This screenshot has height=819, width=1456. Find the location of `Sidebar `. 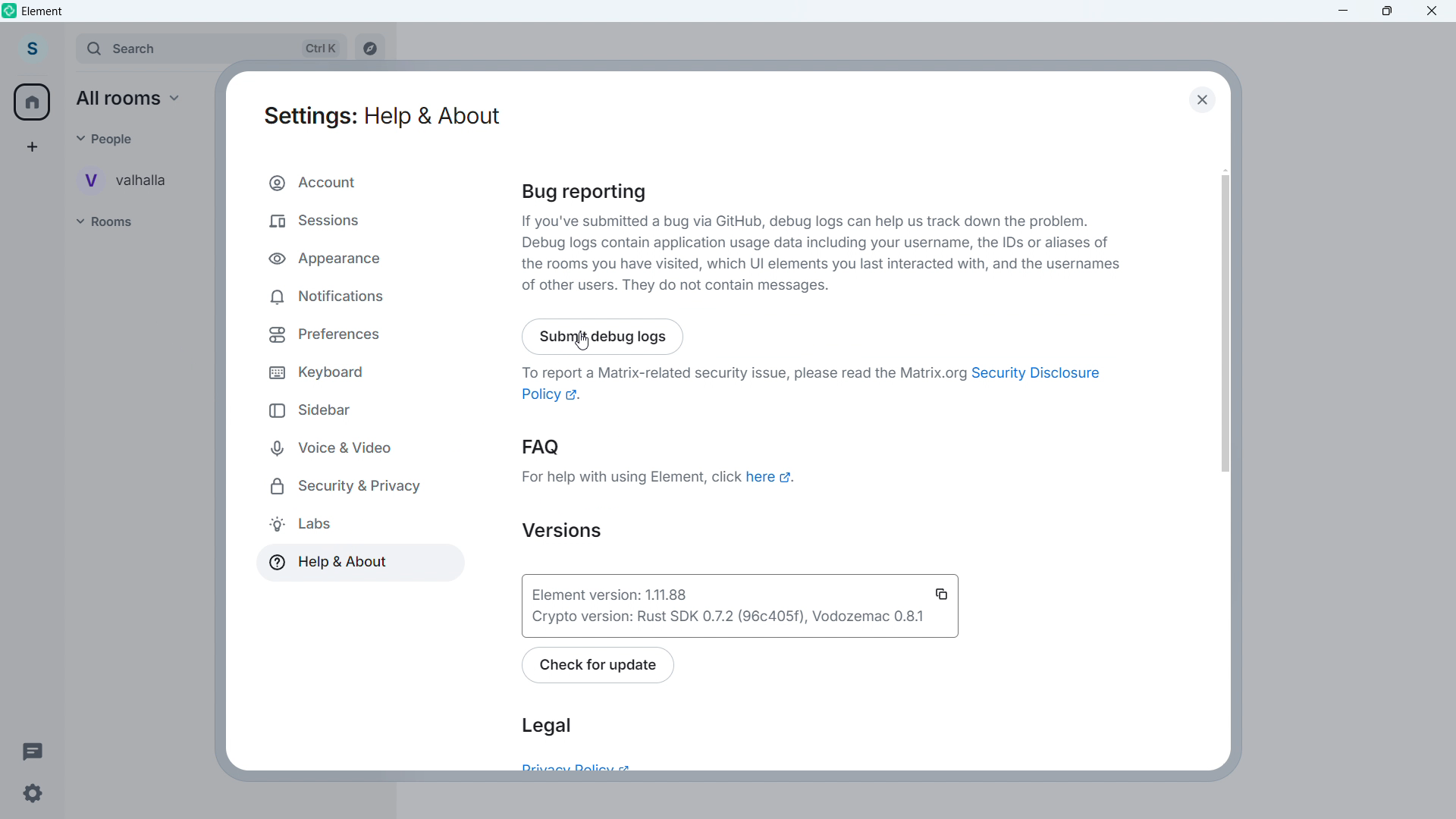

Sidebar  is located at coordinates (305, 412).